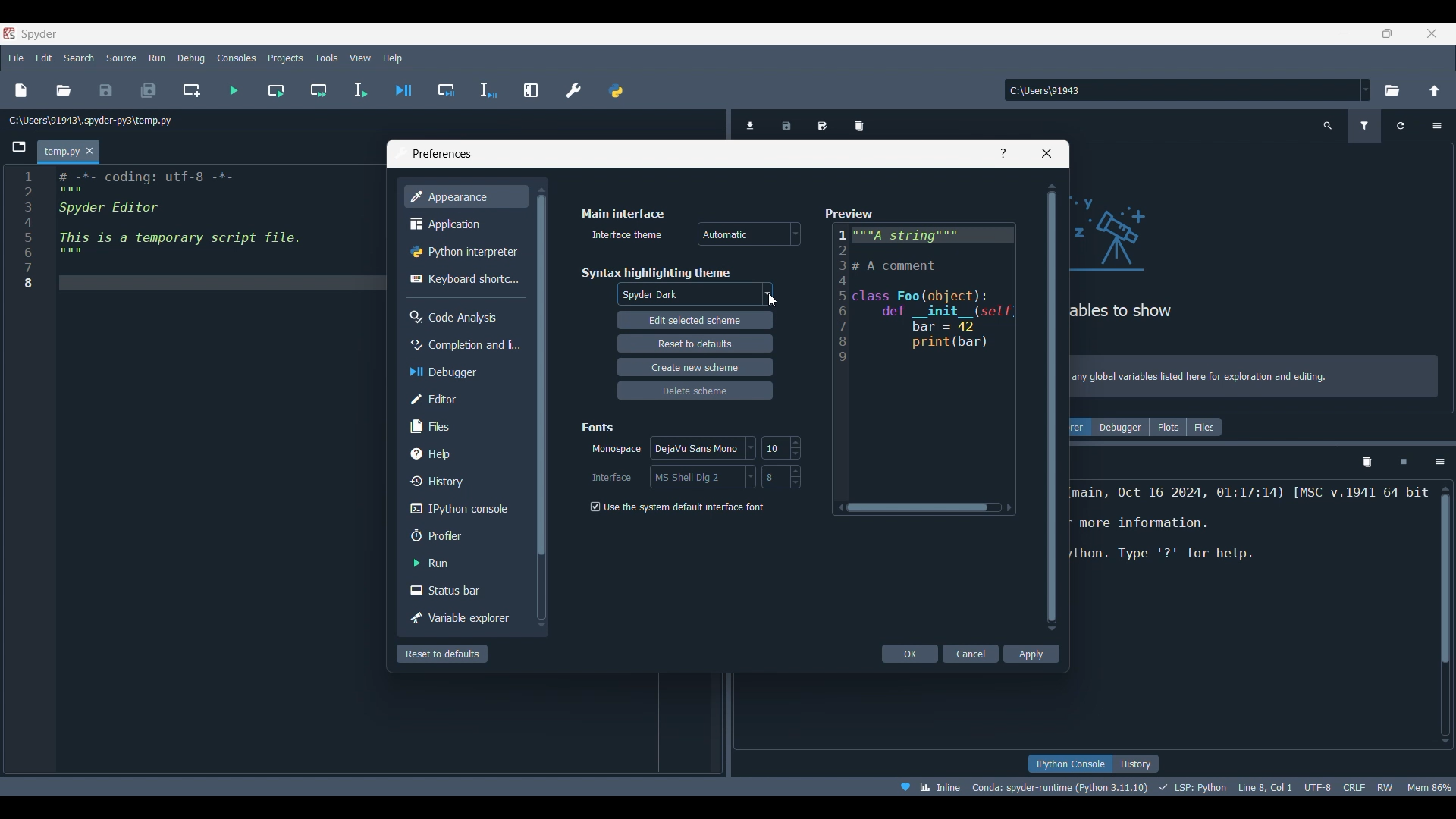  Describe the element at coordinates (463, 372) in the screenshot. I see `Debugger` at that location.